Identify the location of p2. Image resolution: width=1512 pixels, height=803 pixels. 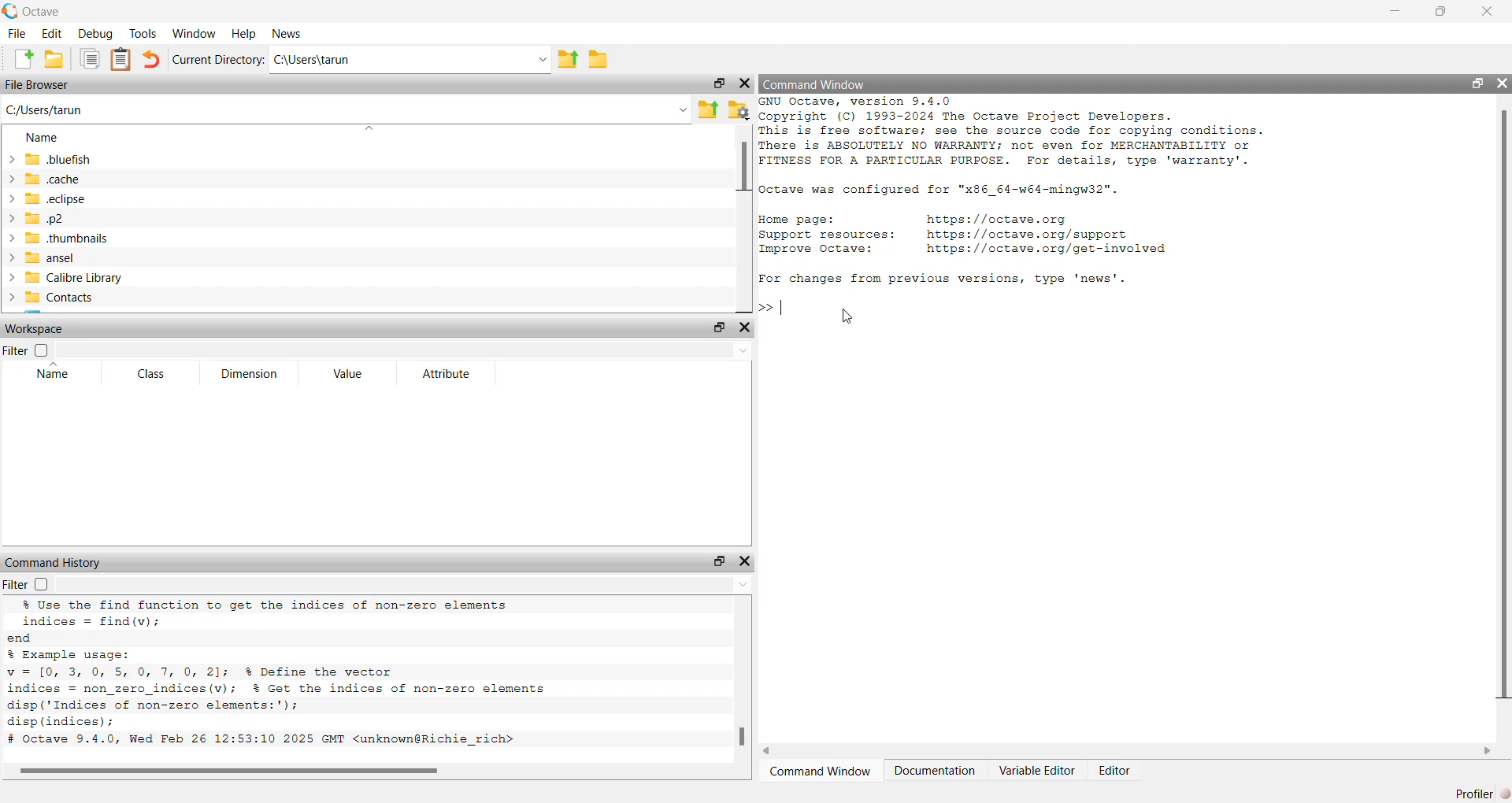
(41, 220).